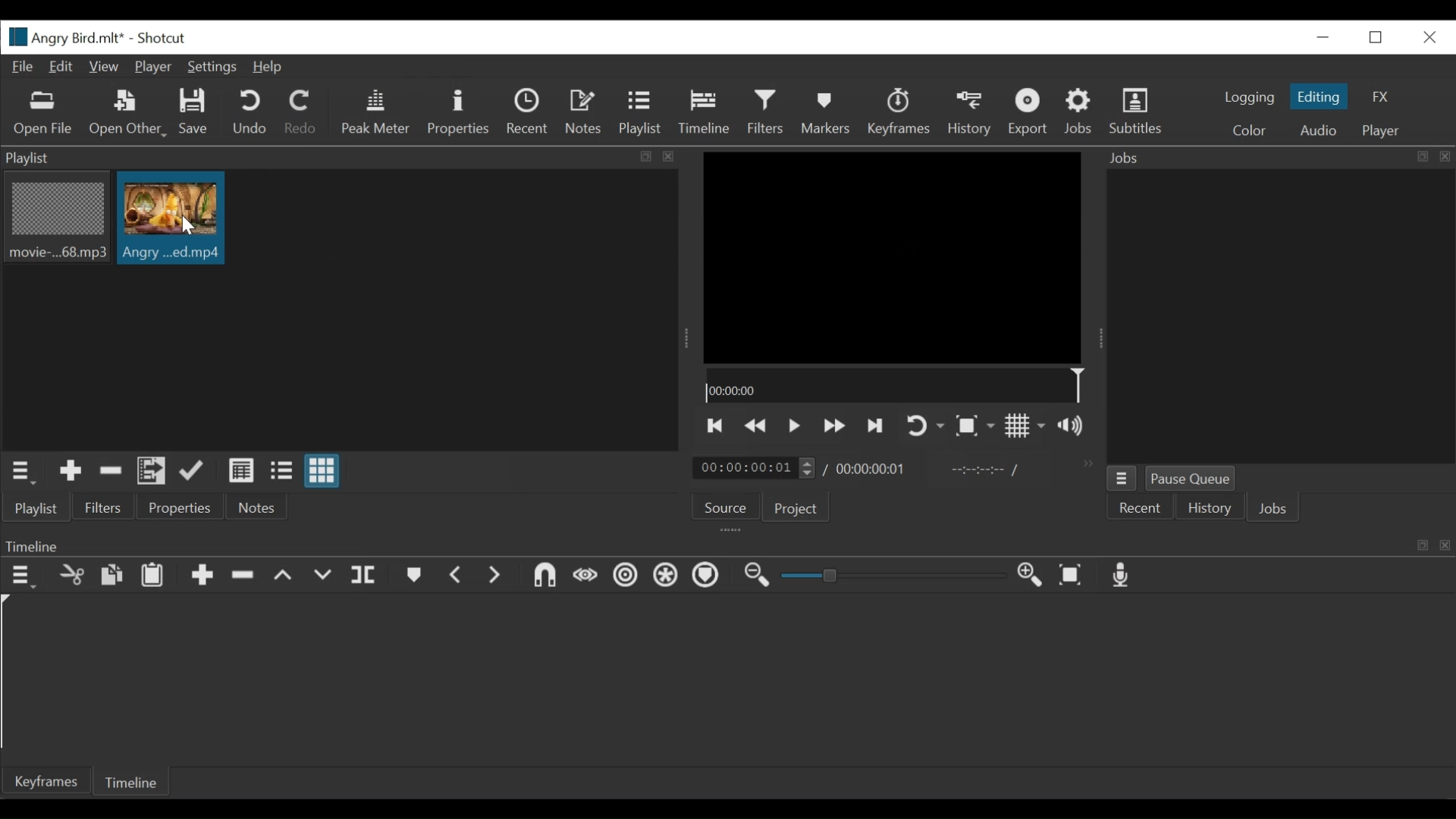  Describe the element at coordinates (249, 113) in the screenshot. I see `Undo` at that location.